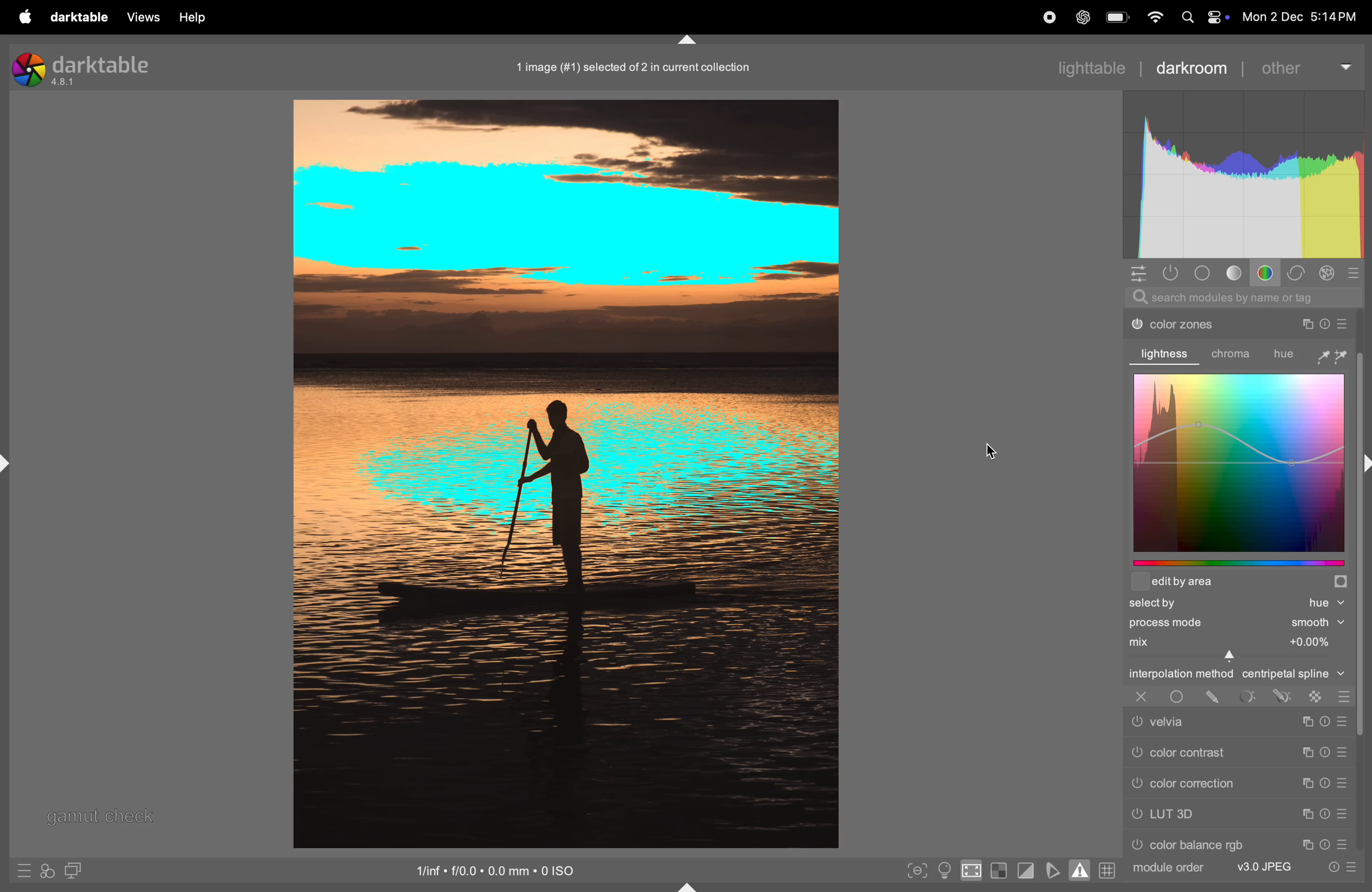 This screenshot has height=892, width=1372. Describe the element at coordinates (1325, 721) in the screenshot. I see `Timer` at that location.